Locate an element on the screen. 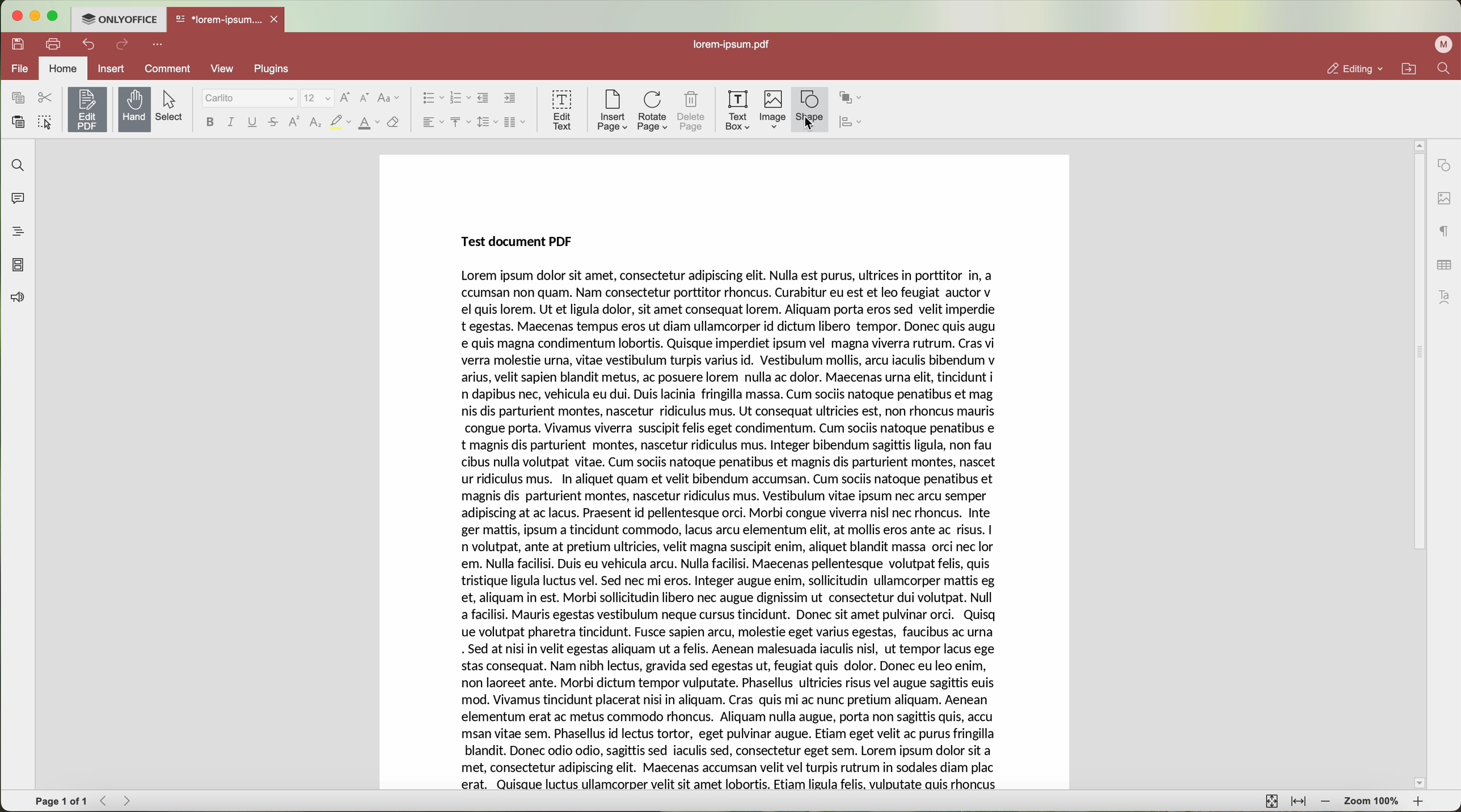 This screenshot has height=812, width=1461. table settings is located at coordinates (1443, 263).